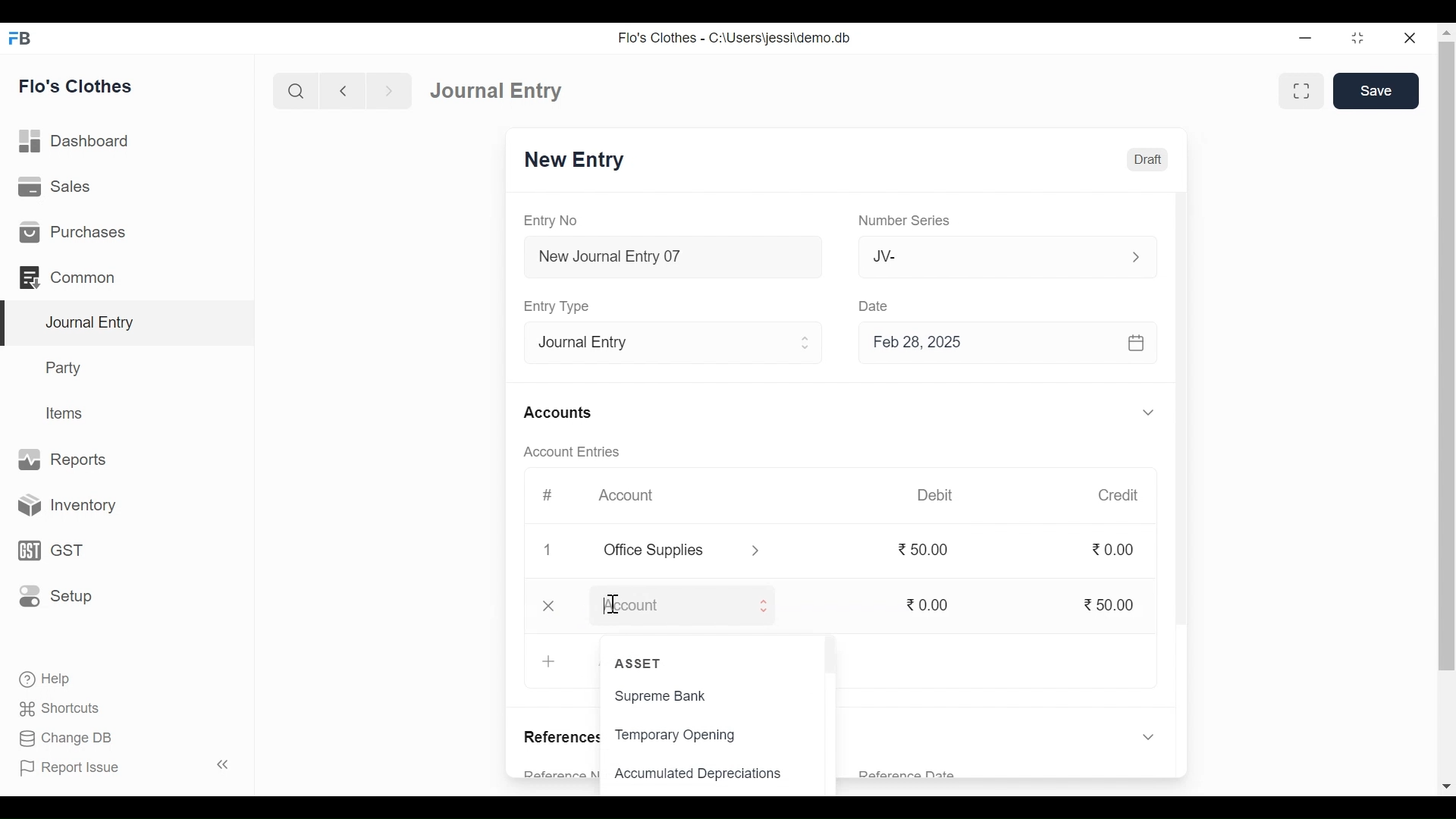 The height and width of the screenshot is (819, 1456). Describe the element at coordinates (651, 342) in the screenshot. I see `Entry Type` at that location.